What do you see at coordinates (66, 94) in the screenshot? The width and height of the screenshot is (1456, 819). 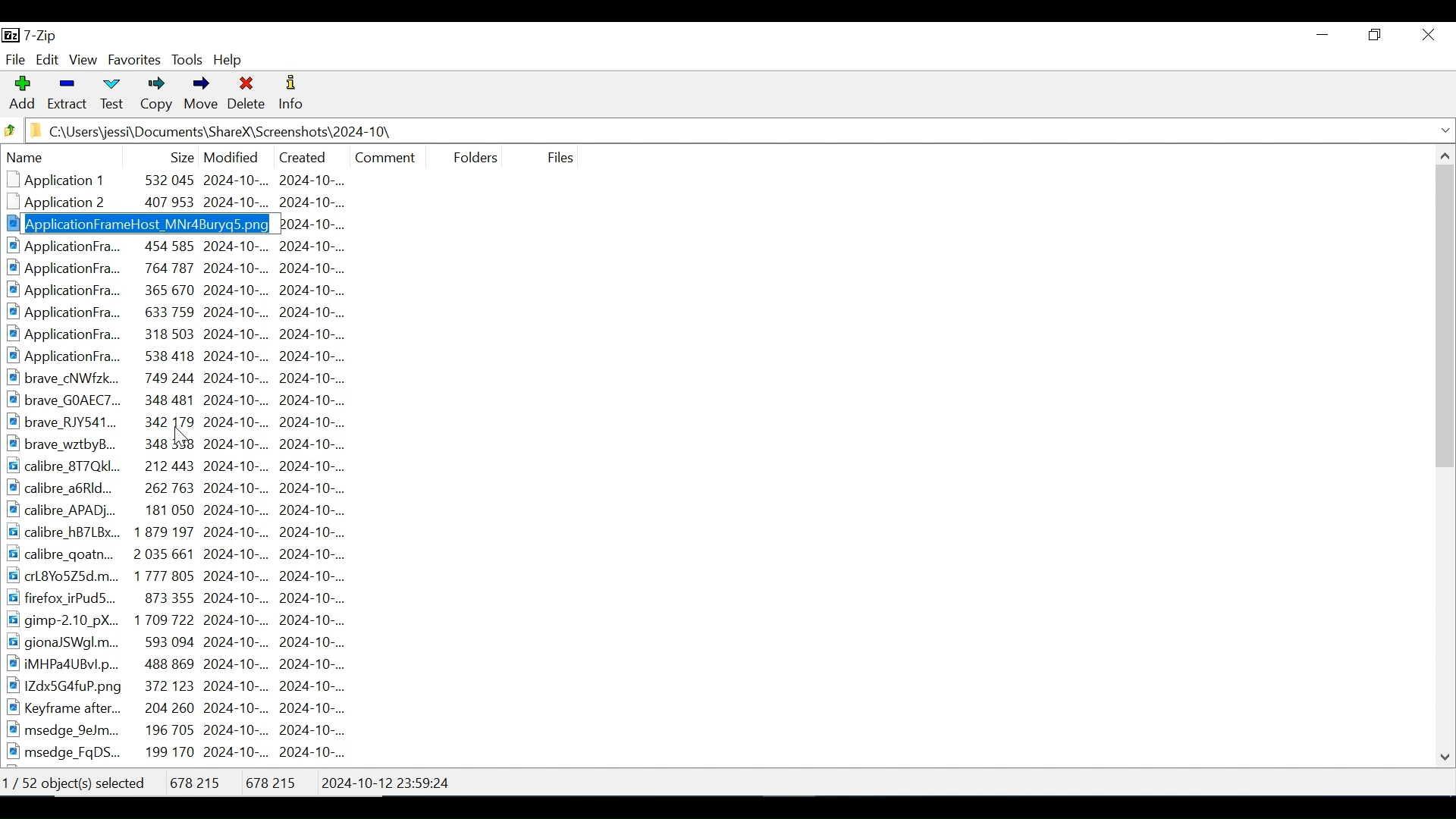 I see `Extract` at bounding box center [66, 94].